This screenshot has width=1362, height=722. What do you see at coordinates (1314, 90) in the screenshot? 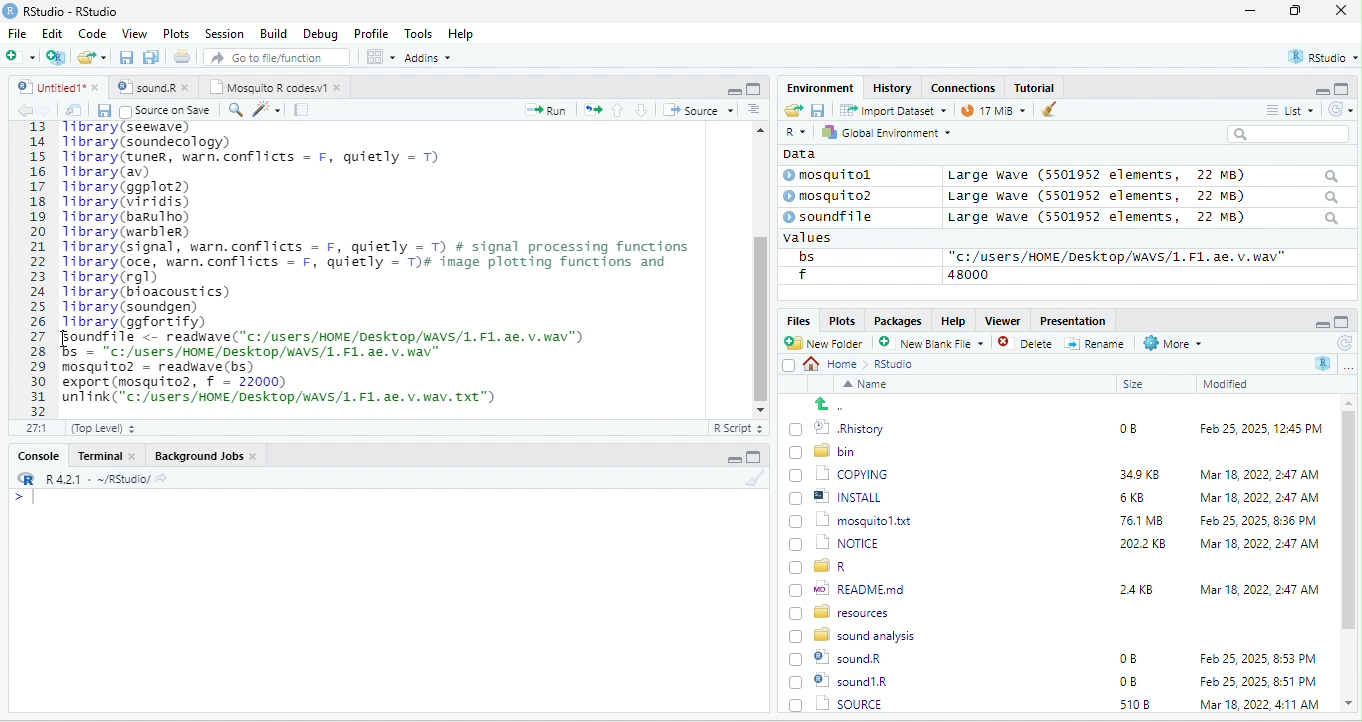
I see `minimize` at bounding box center [1314, 90].